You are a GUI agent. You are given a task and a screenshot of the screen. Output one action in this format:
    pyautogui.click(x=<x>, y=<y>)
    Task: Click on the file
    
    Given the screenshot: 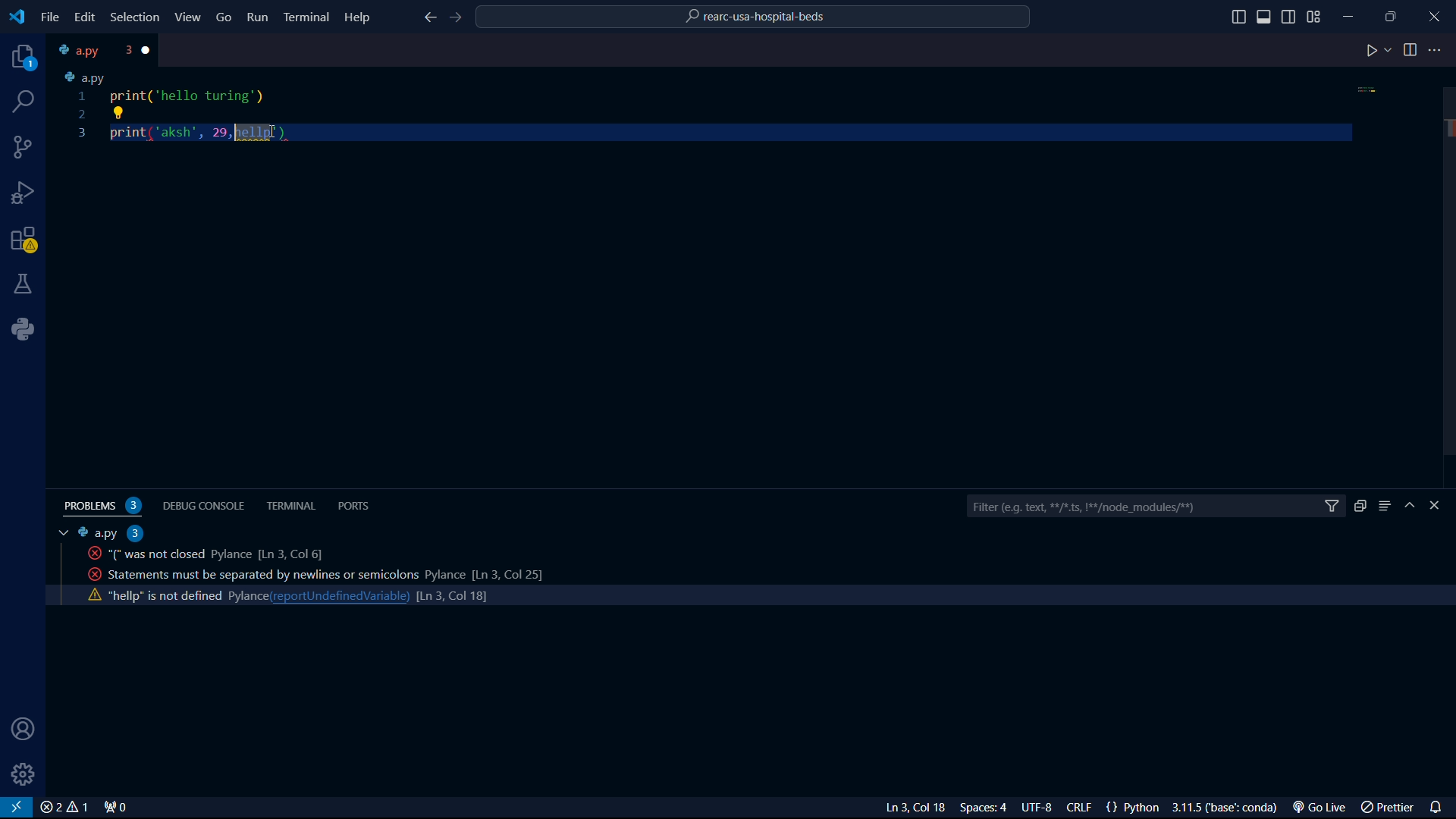 What is the action you would take?
    pyautogui.click(x=50, y=17)
    